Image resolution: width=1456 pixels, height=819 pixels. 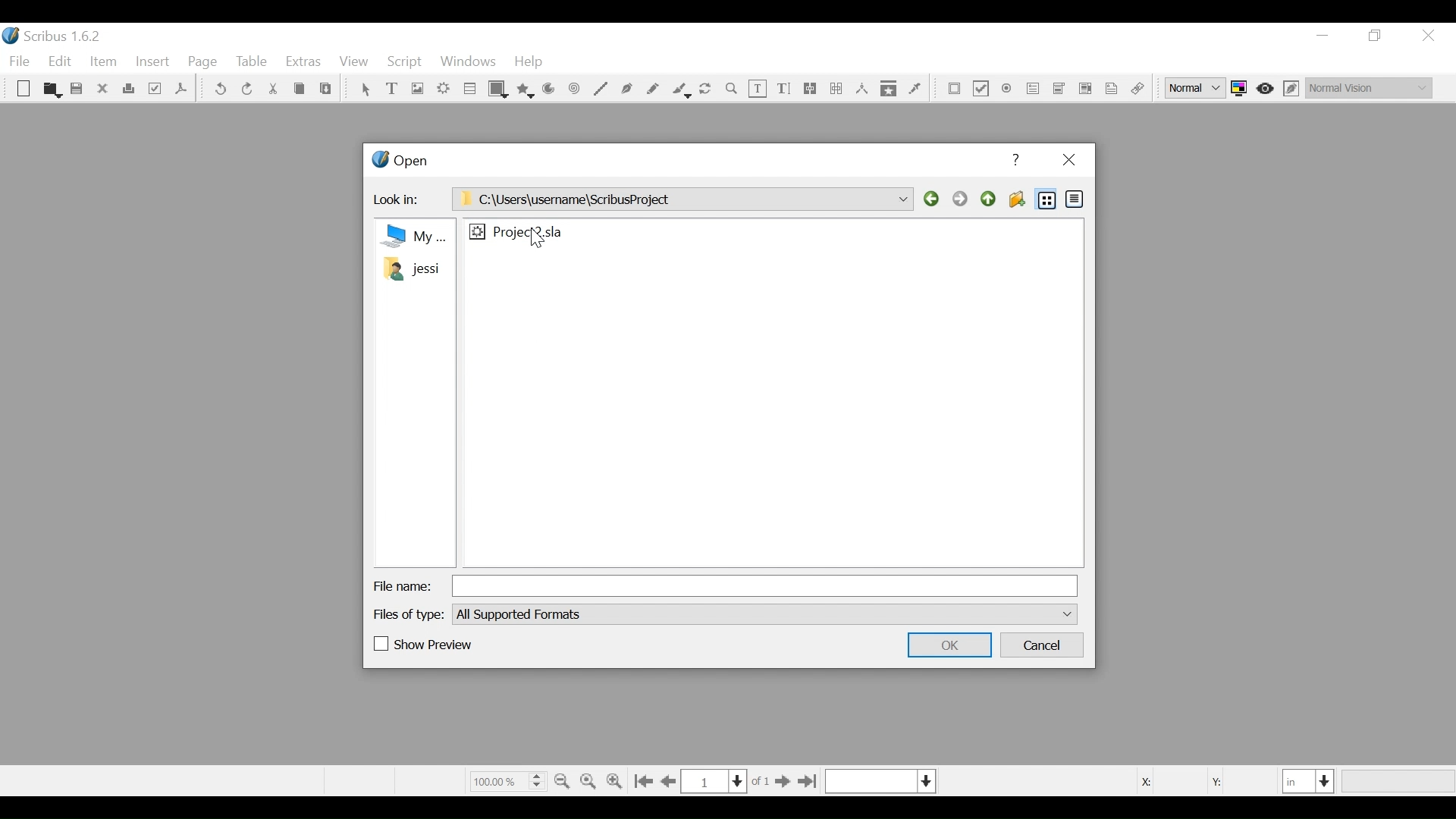 I want to click on Unlink Text frame, so click(x=836, y=89).